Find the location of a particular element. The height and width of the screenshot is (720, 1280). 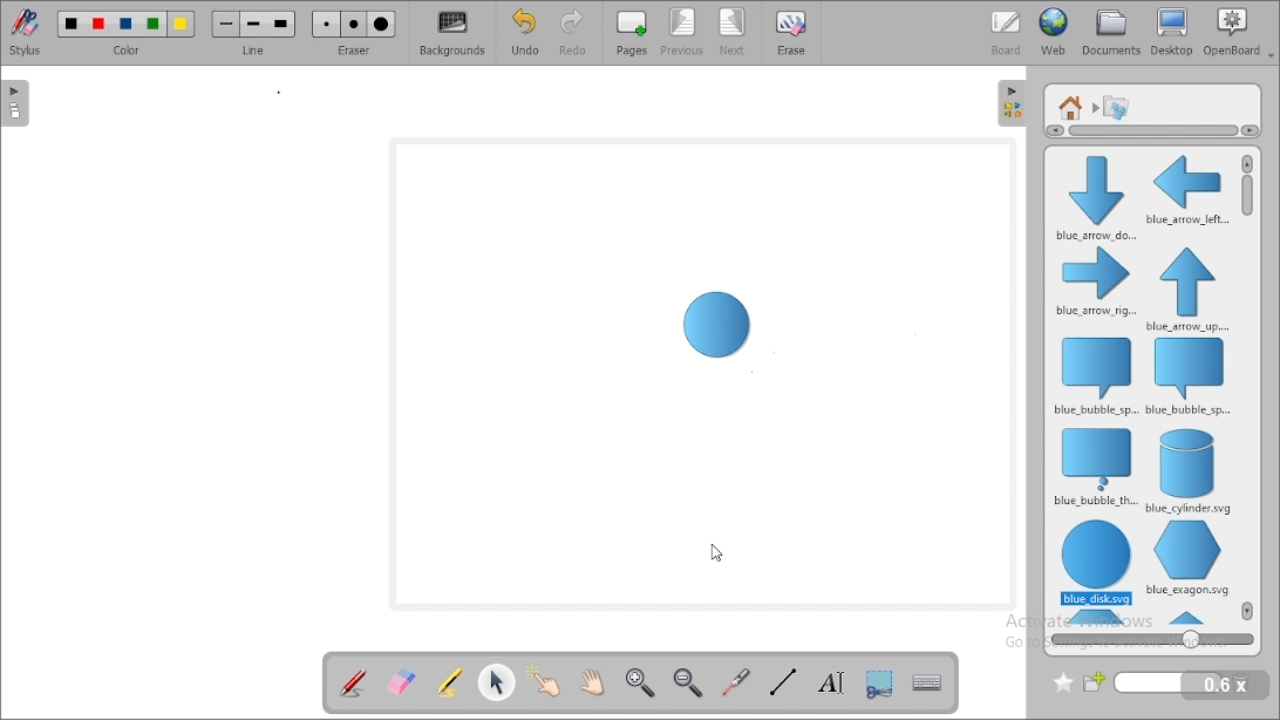

vertical scroll bar is located at coordinates (1248, 387).